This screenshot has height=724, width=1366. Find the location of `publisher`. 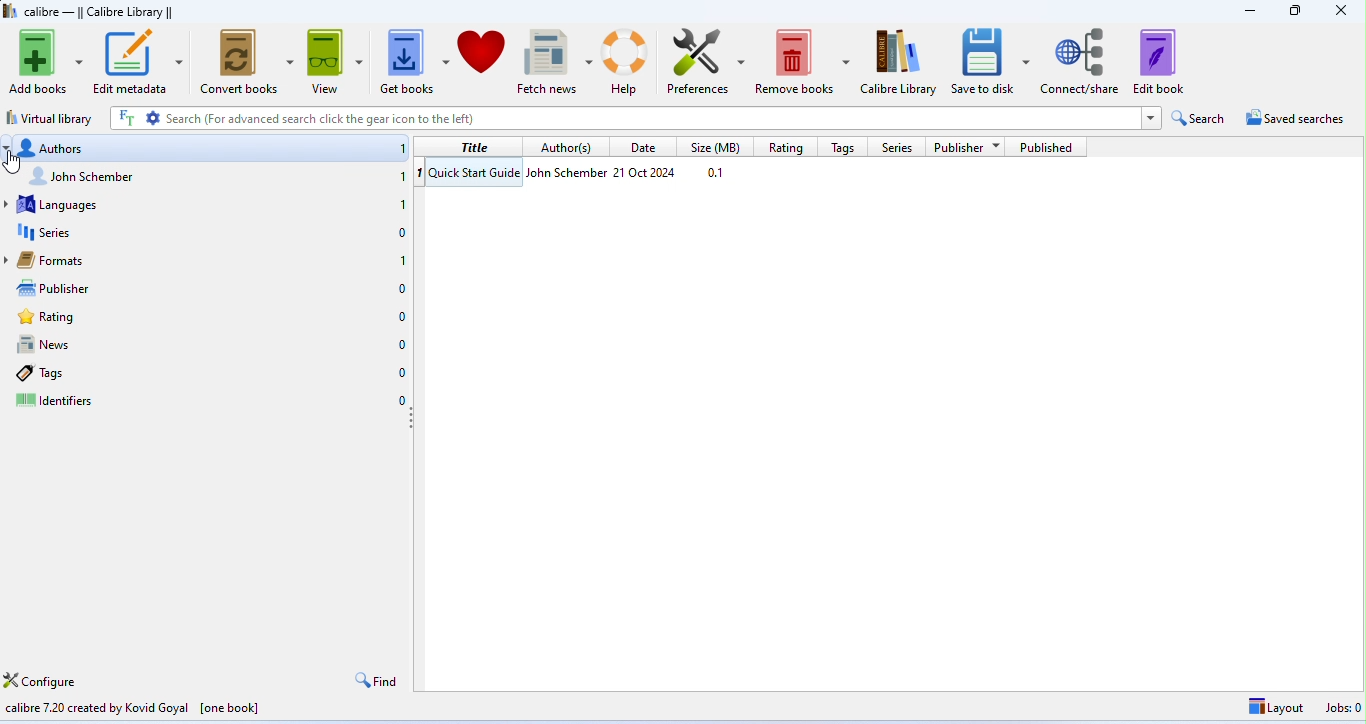

publisher is located at coordinates (968, 147).